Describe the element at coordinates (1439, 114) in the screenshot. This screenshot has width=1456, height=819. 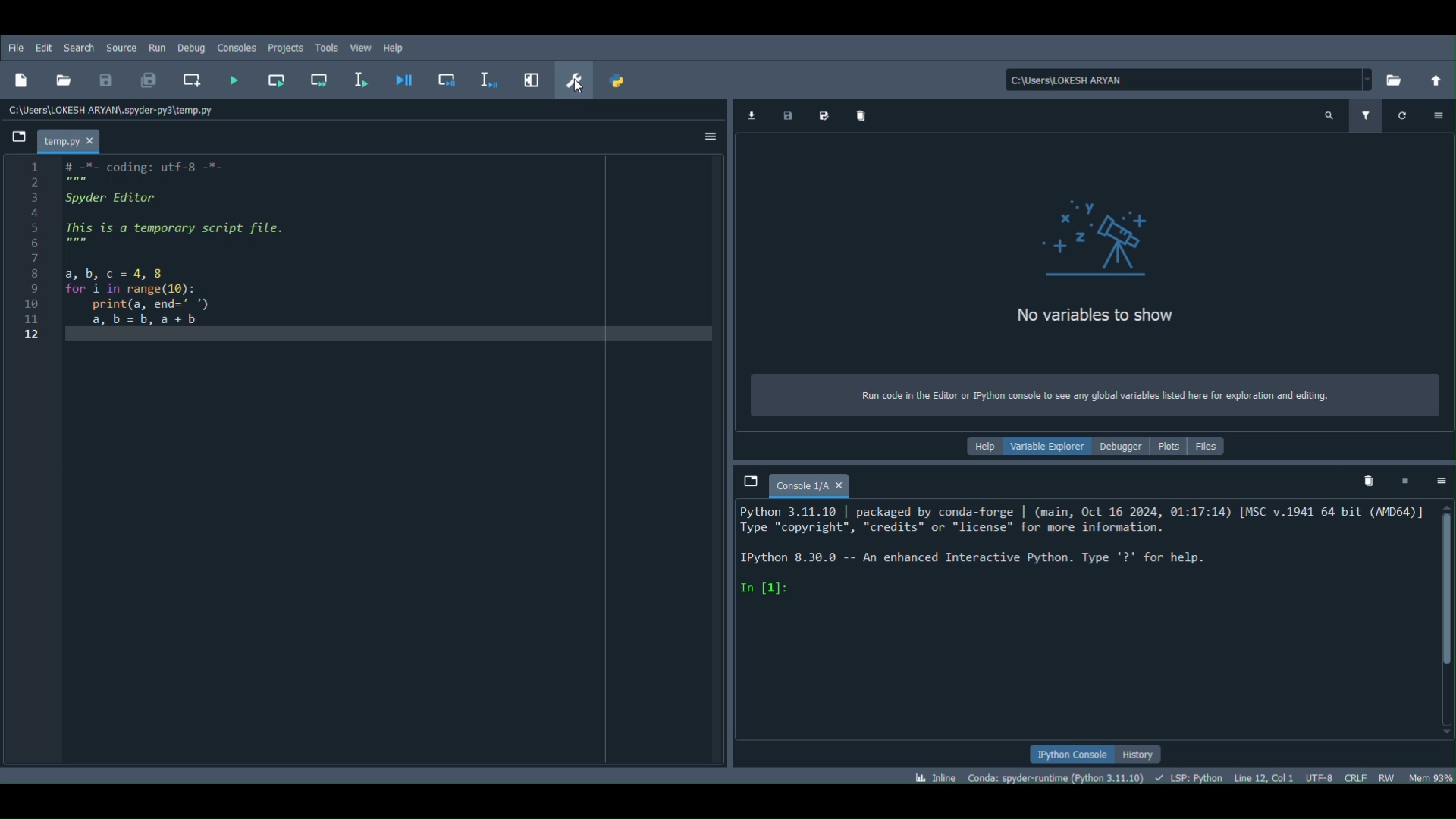
I see `Options` at that location.